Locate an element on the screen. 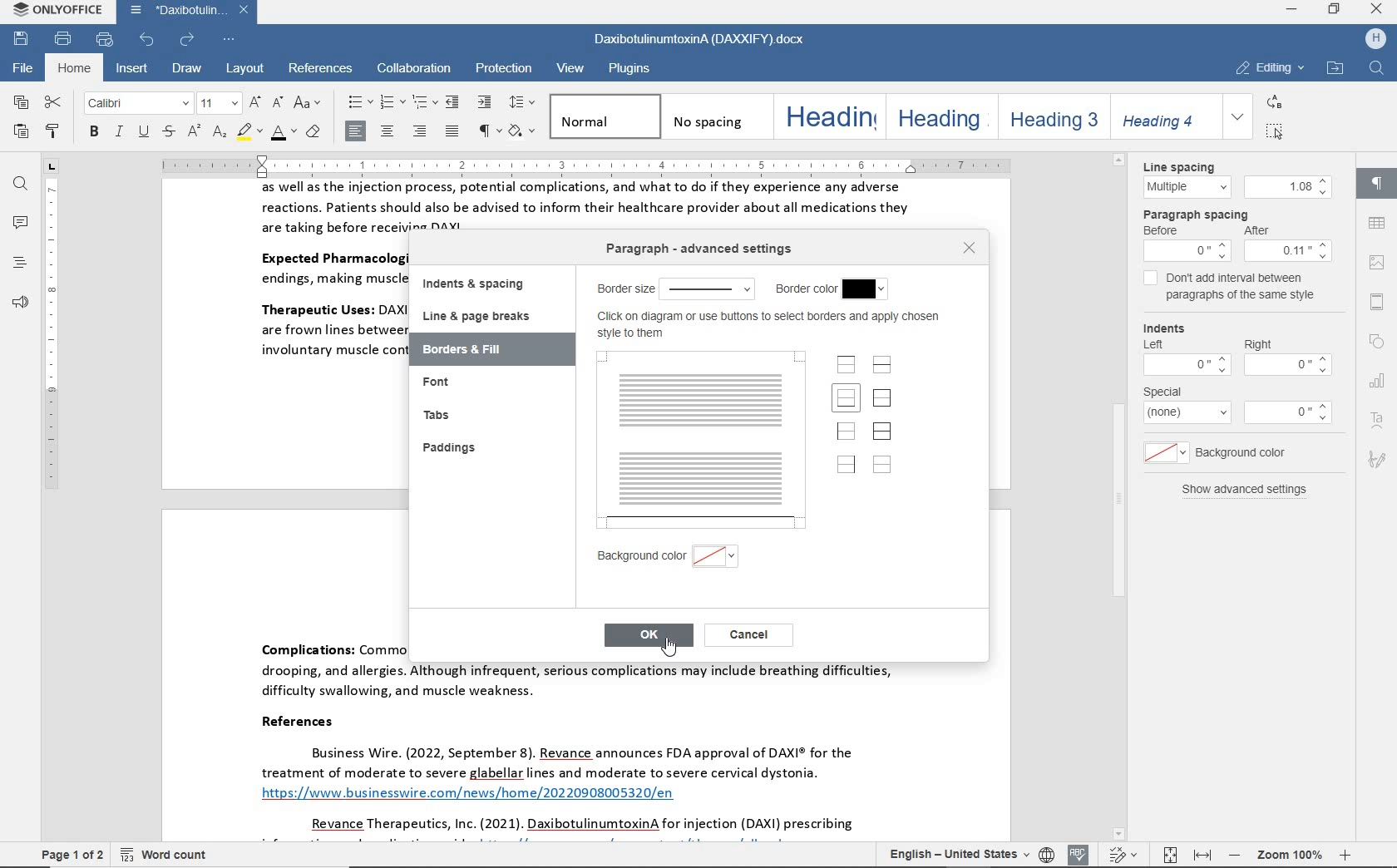 This screenshot has width=1397, height=868. expand is located at coordinates (1238, 116).